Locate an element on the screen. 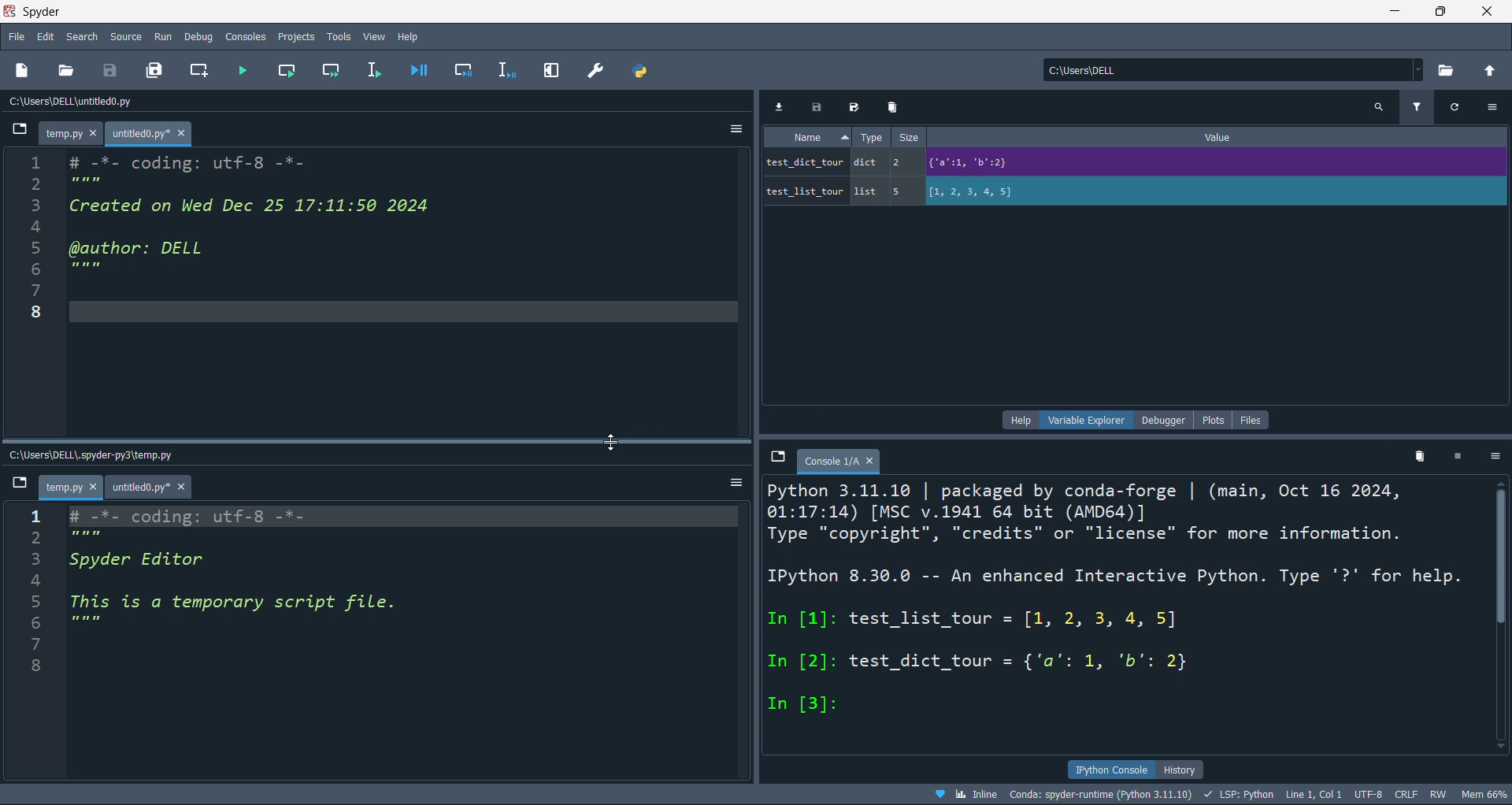  browse tabs is located at coordinates (778, 458).